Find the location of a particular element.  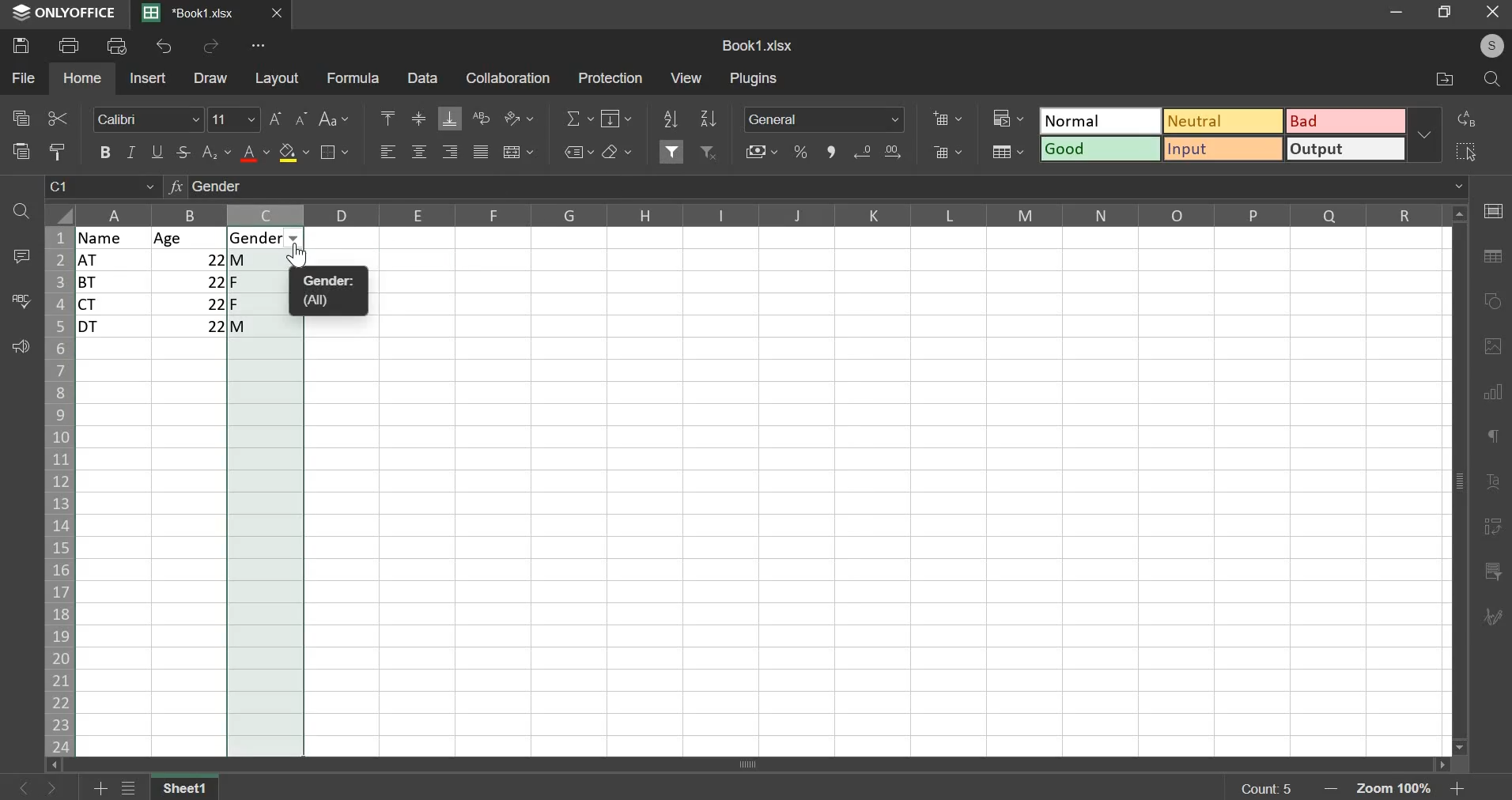

columns is located at coordinates (763, 213).